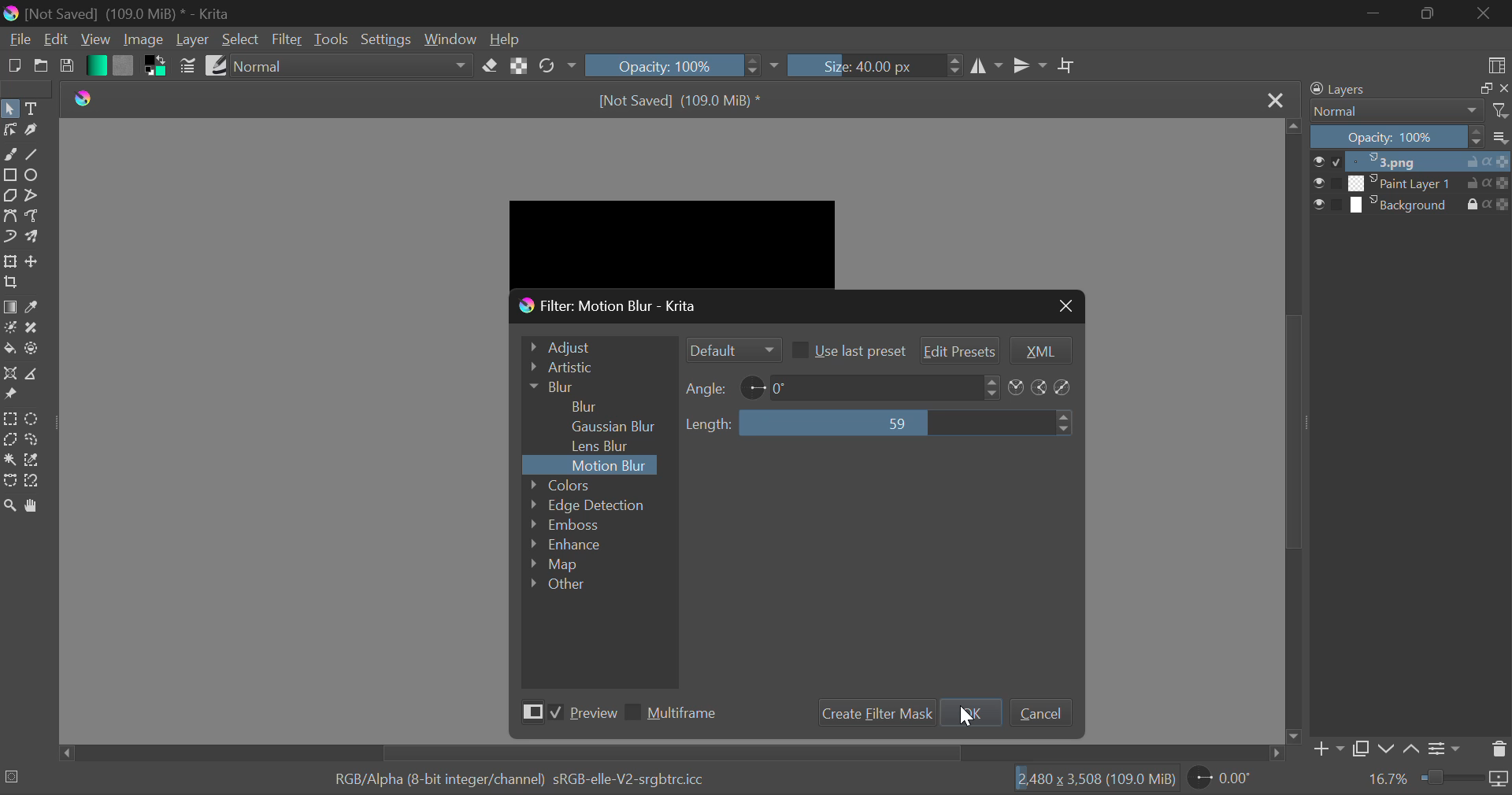 The width and height of the screenshot is (1512, 795). Describe the element at coordinates (9, 131) in the screenshot. I see `Edit Shapes` at that location.